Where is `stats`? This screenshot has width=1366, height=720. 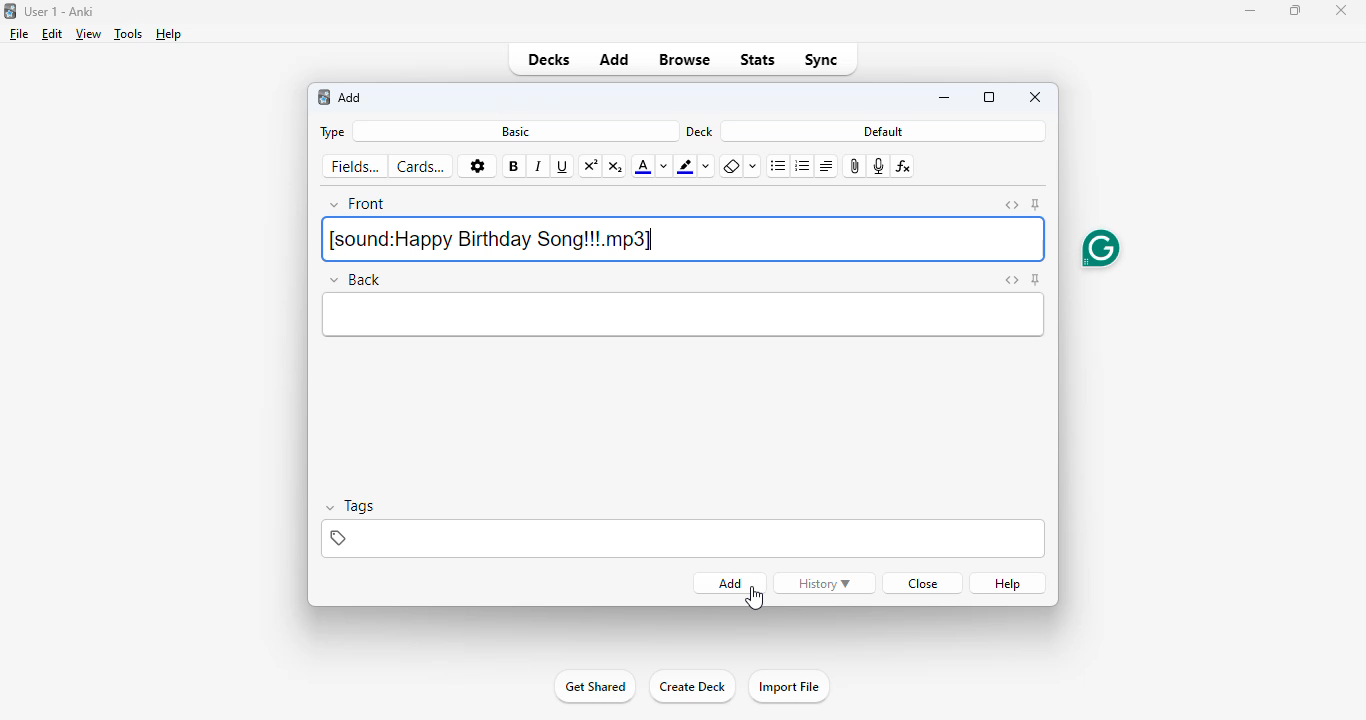 stats is located at coordinates (757, 60).